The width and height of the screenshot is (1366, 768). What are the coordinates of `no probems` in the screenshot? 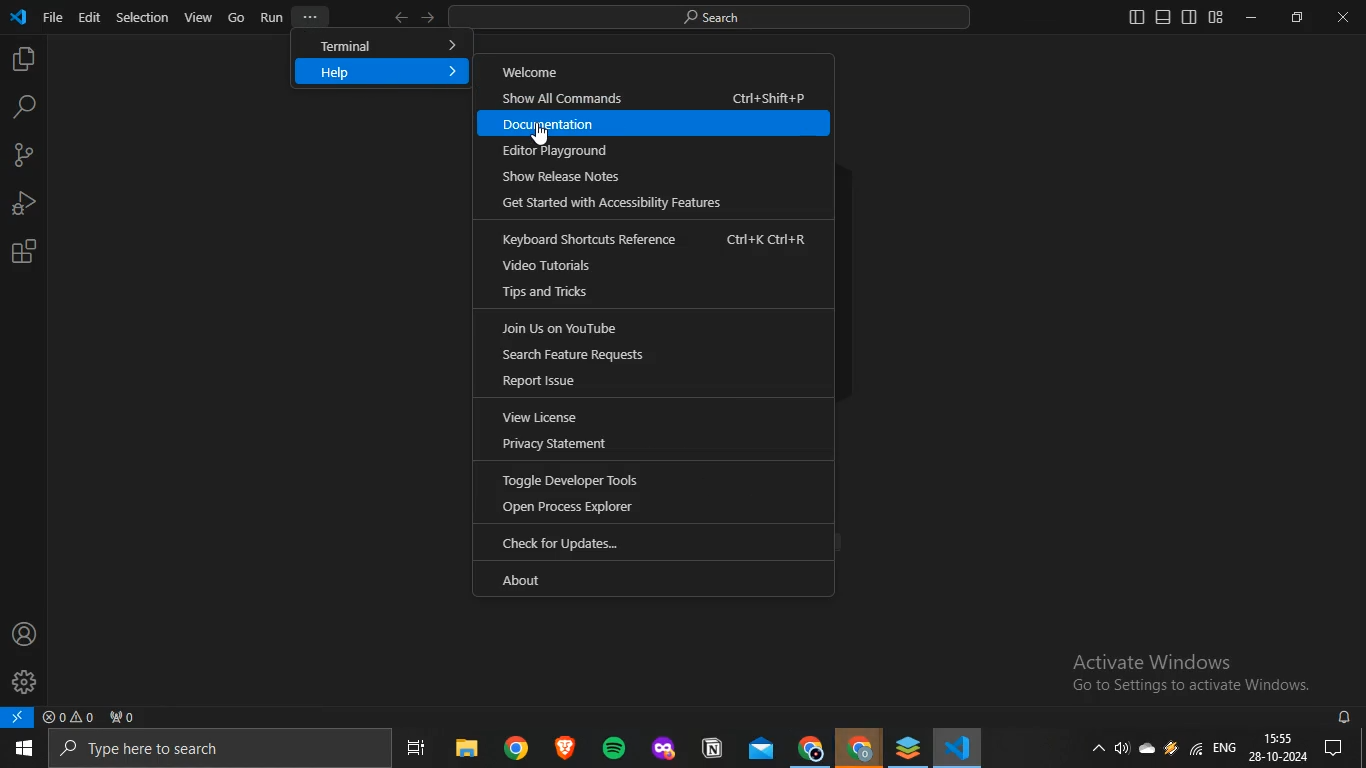 It's located at (67, 717).